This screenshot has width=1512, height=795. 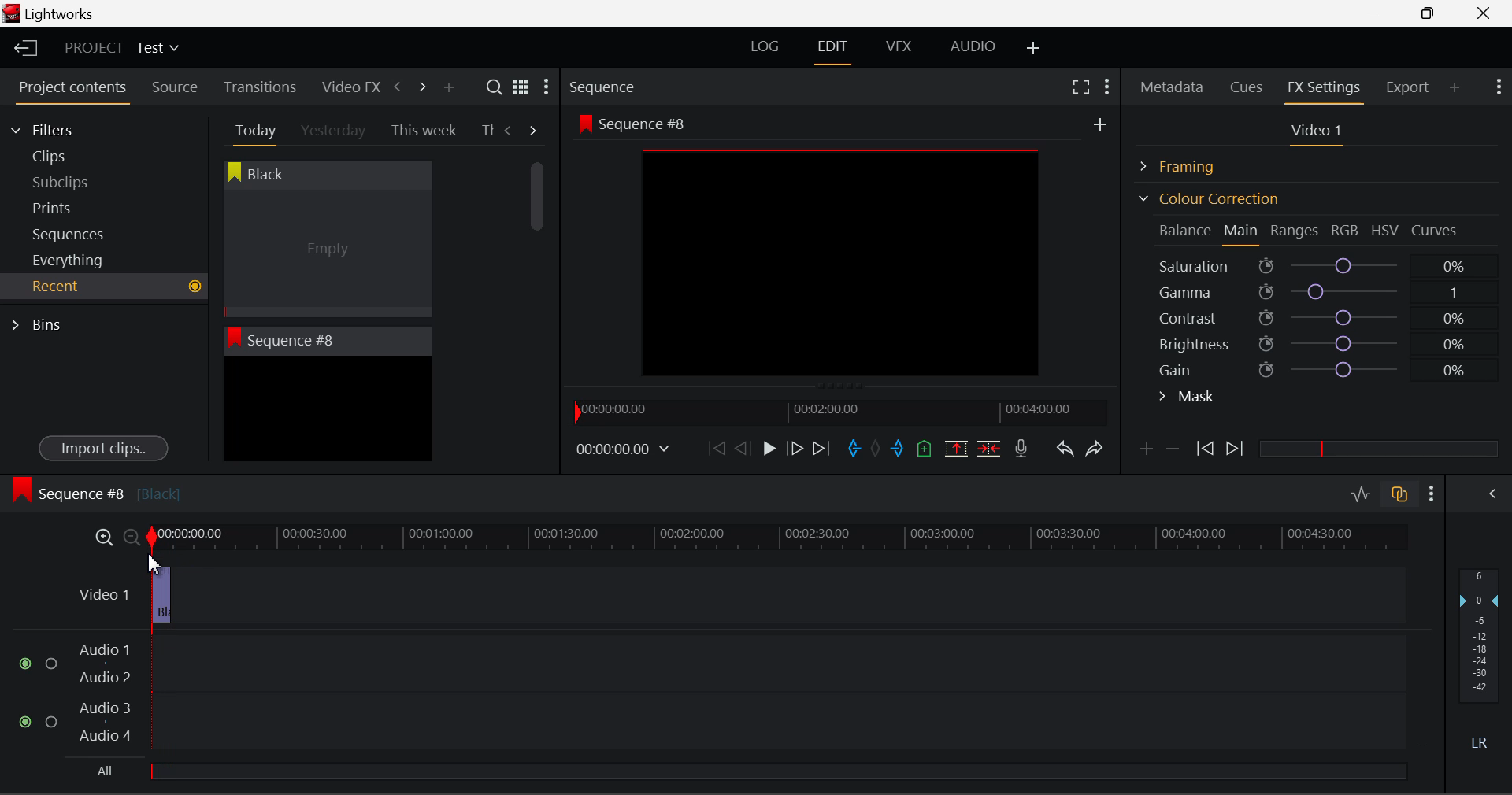 I want to click on Brightness, so click(x=1318, y=341).